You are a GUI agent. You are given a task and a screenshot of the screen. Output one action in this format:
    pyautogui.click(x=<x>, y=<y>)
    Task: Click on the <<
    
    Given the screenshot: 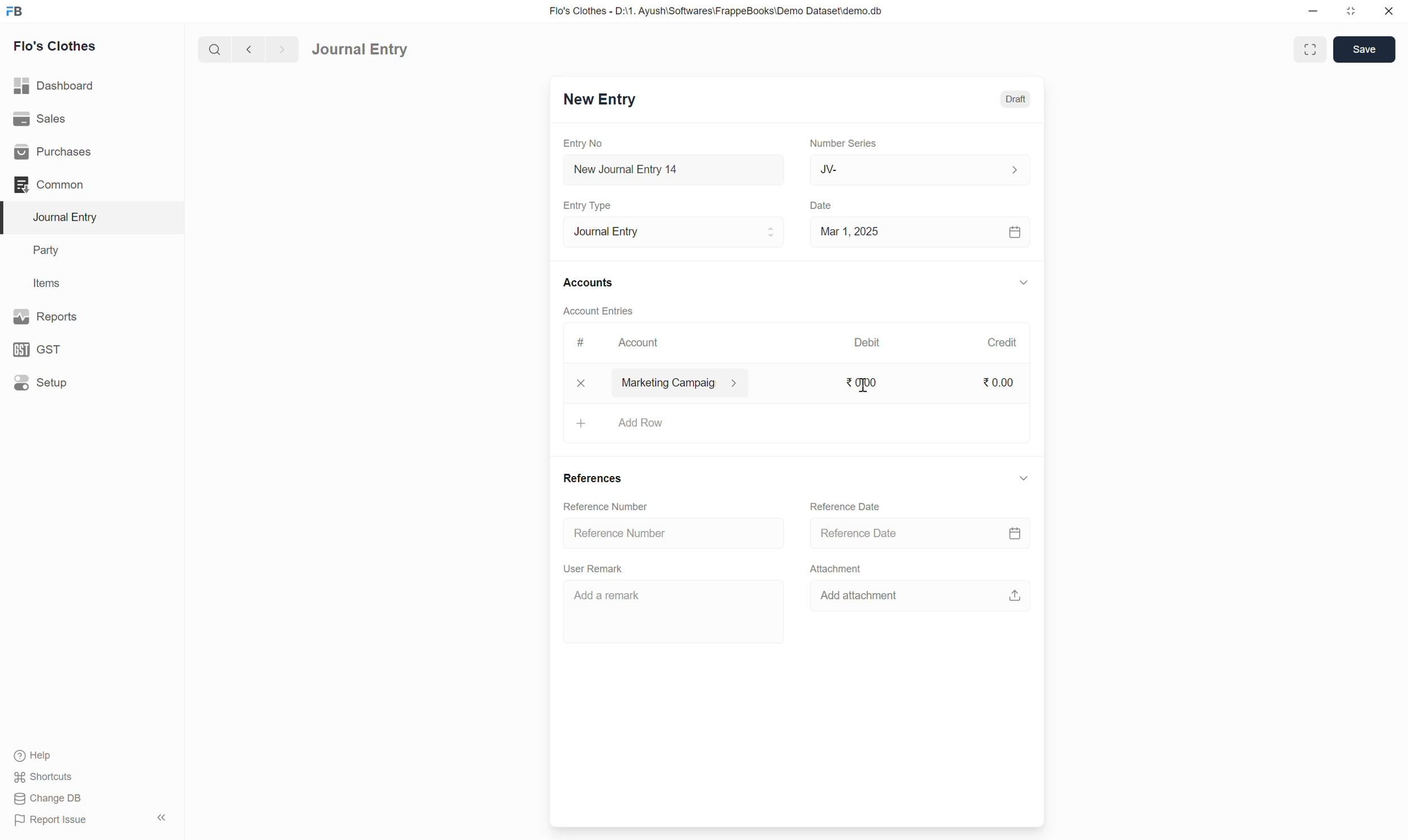 What is the action you would take?
    pyautogui.click(x=161, y=818)
    